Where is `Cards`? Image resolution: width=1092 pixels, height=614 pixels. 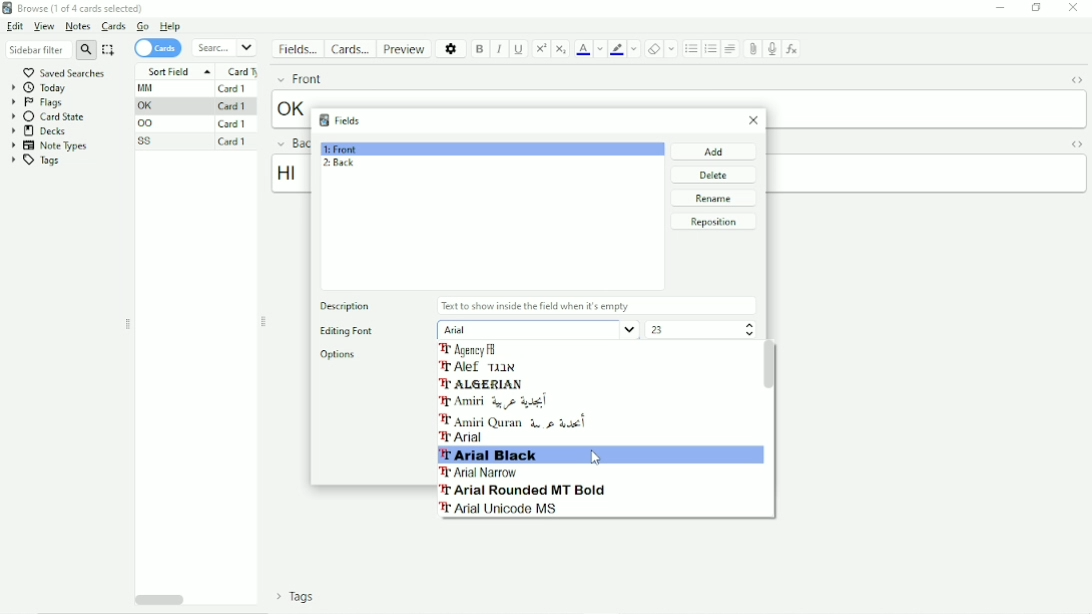 Cards is located at coordinates (112, 26).